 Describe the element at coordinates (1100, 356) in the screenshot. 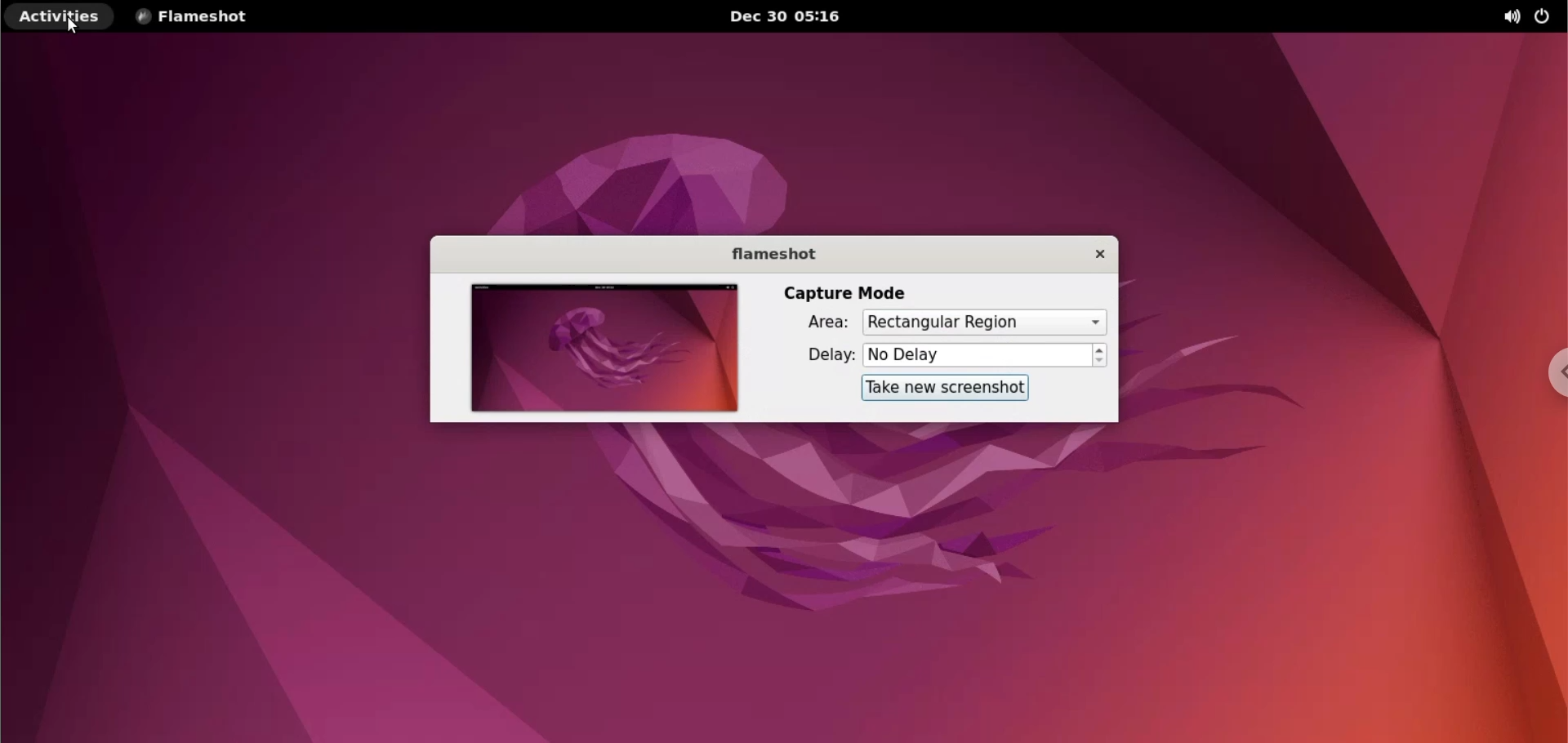

I see `increment or decrement delay` at that location.